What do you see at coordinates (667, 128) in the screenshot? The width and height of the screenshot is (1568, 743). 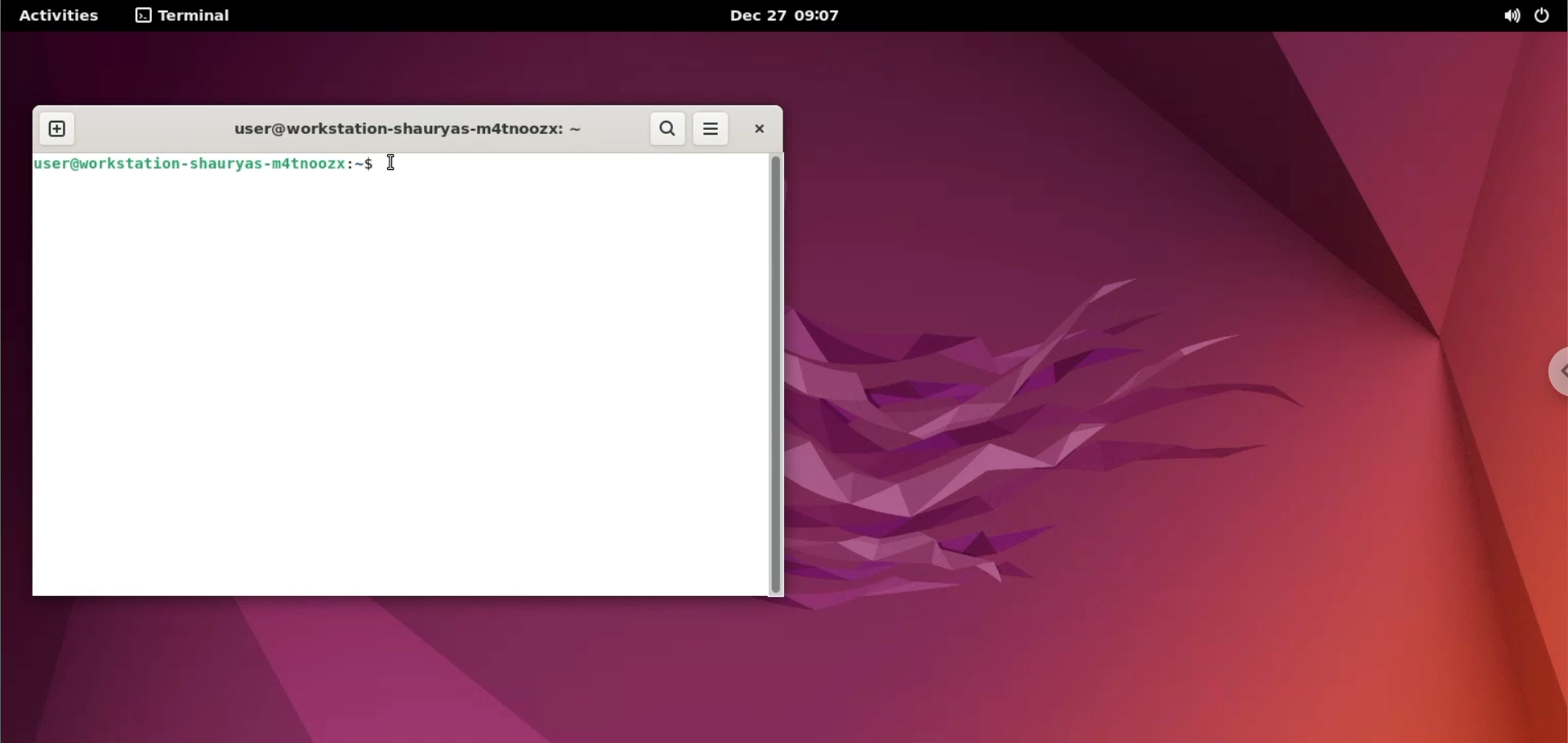 I see `search ` at bounding box center [667, 128].